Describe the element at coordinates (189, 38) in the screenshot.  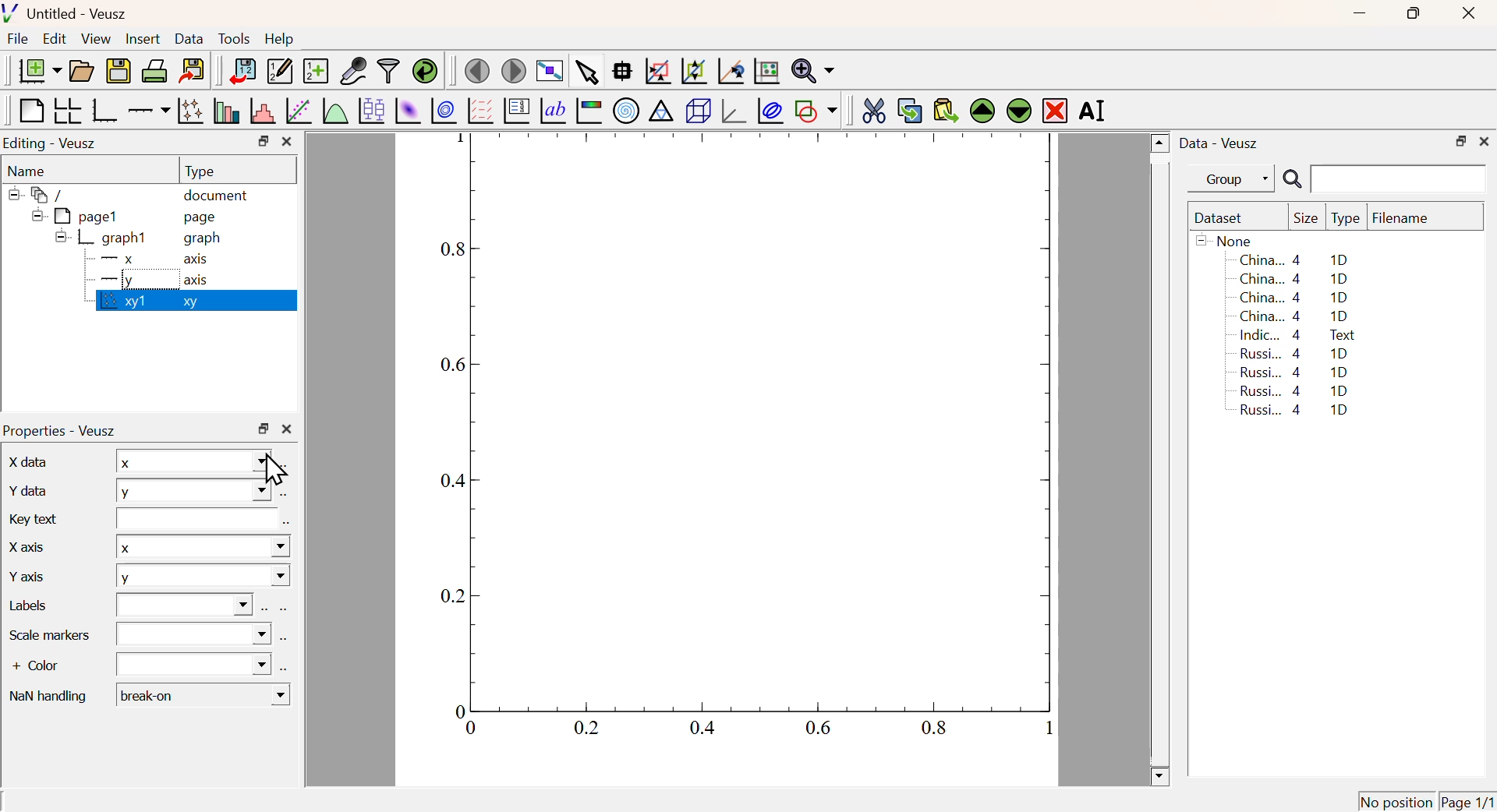
I see `Data` at that location.